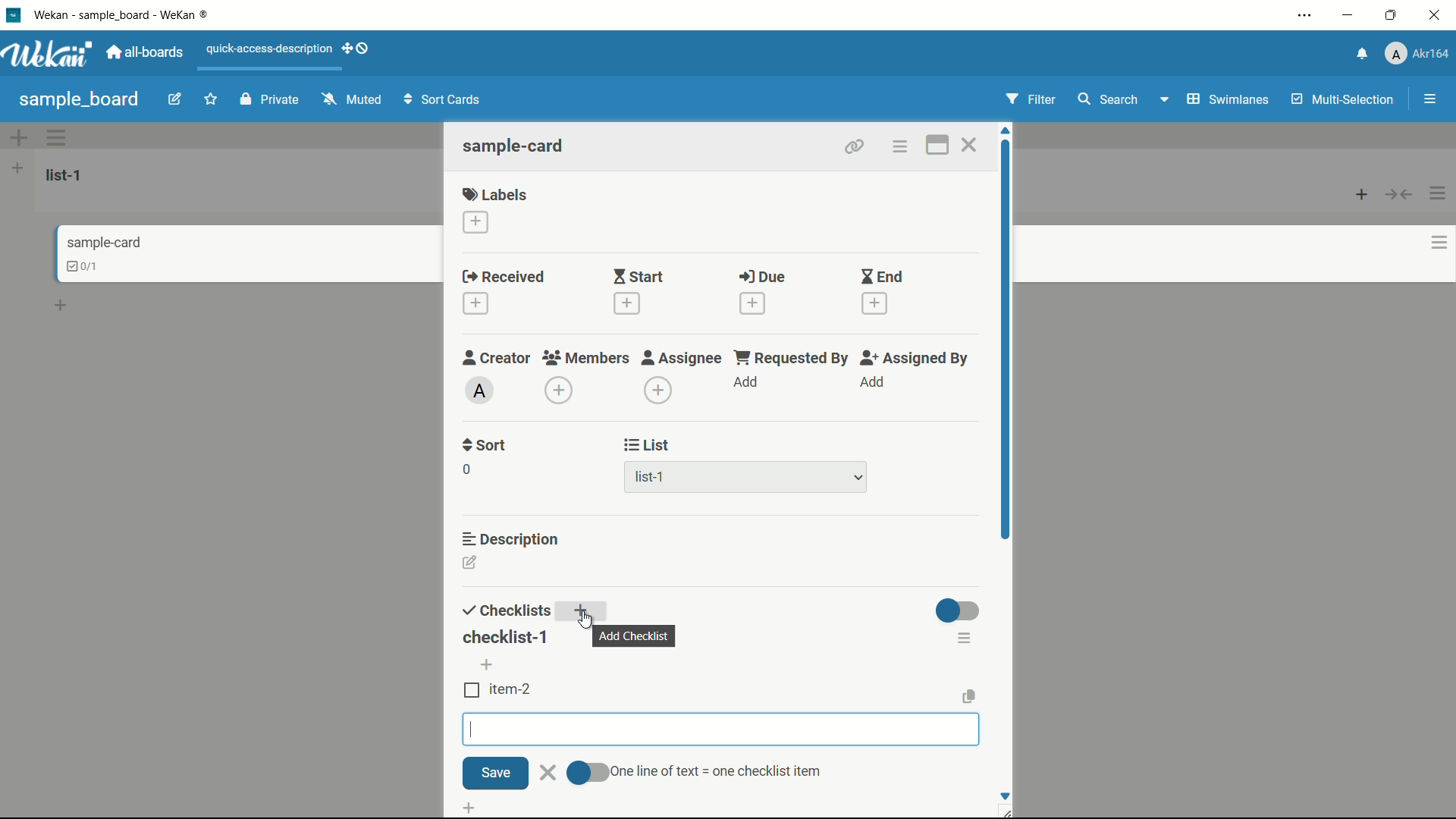 This screenshot has height=819, width=1456. What do you see at coordinates (916, 358) in the screenshot?
I see `assigned by` at bounding box center [916, 358].